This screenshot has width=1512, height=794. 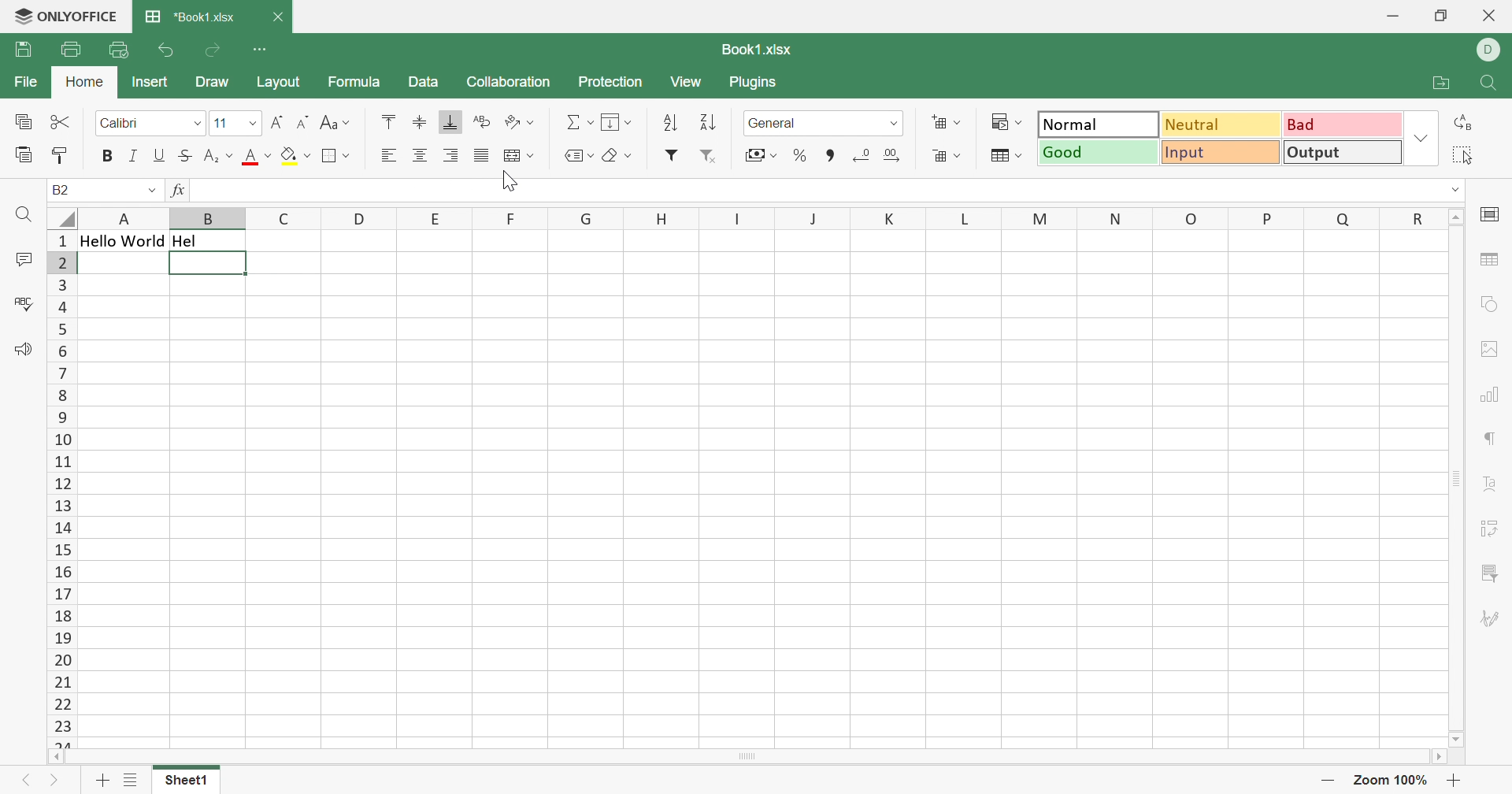 I want to click on Layout, so click(x=280, y=82).